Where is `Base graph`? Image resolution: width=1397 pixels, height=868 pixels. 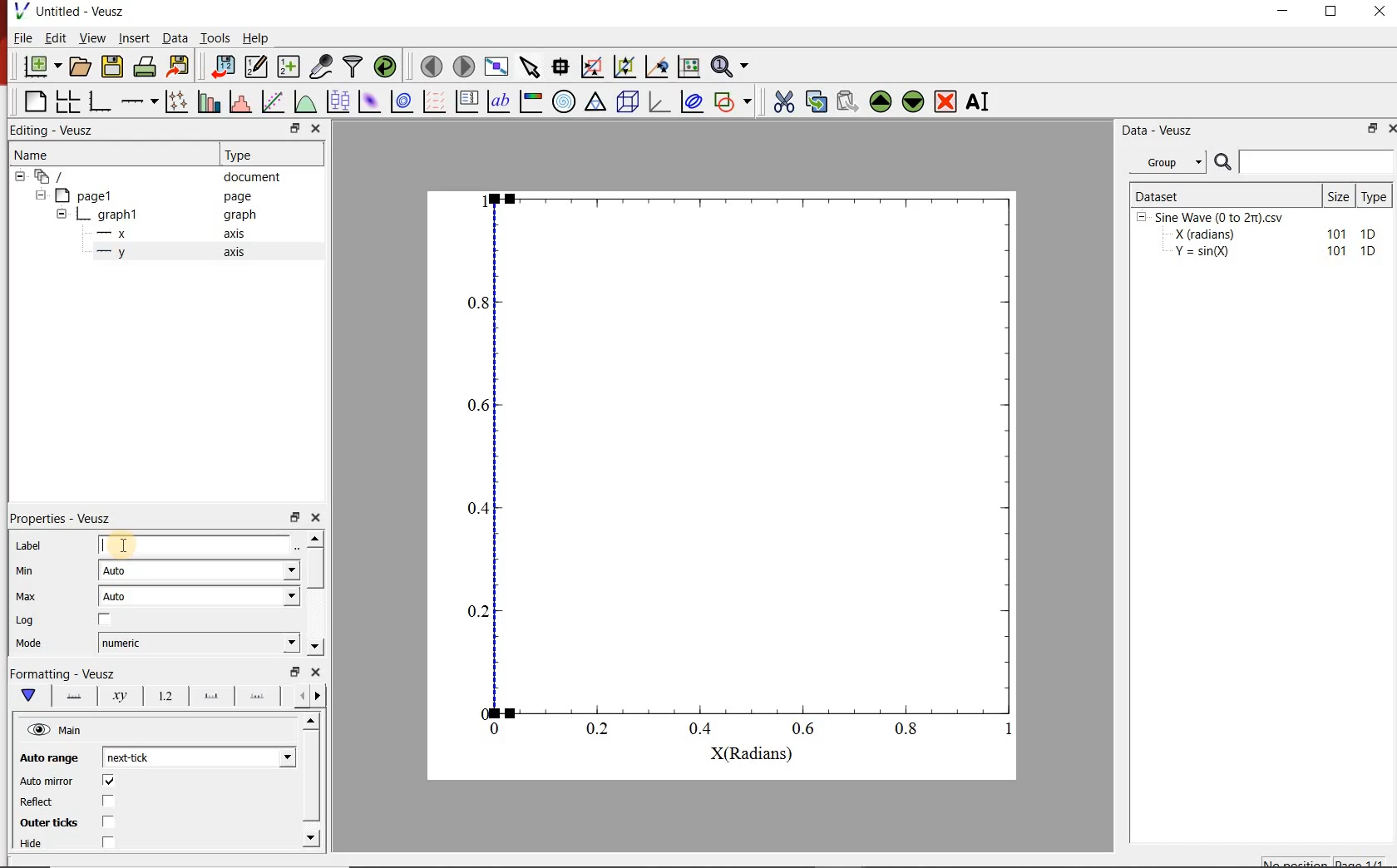 Base graph is located at coordinates (101, 101).